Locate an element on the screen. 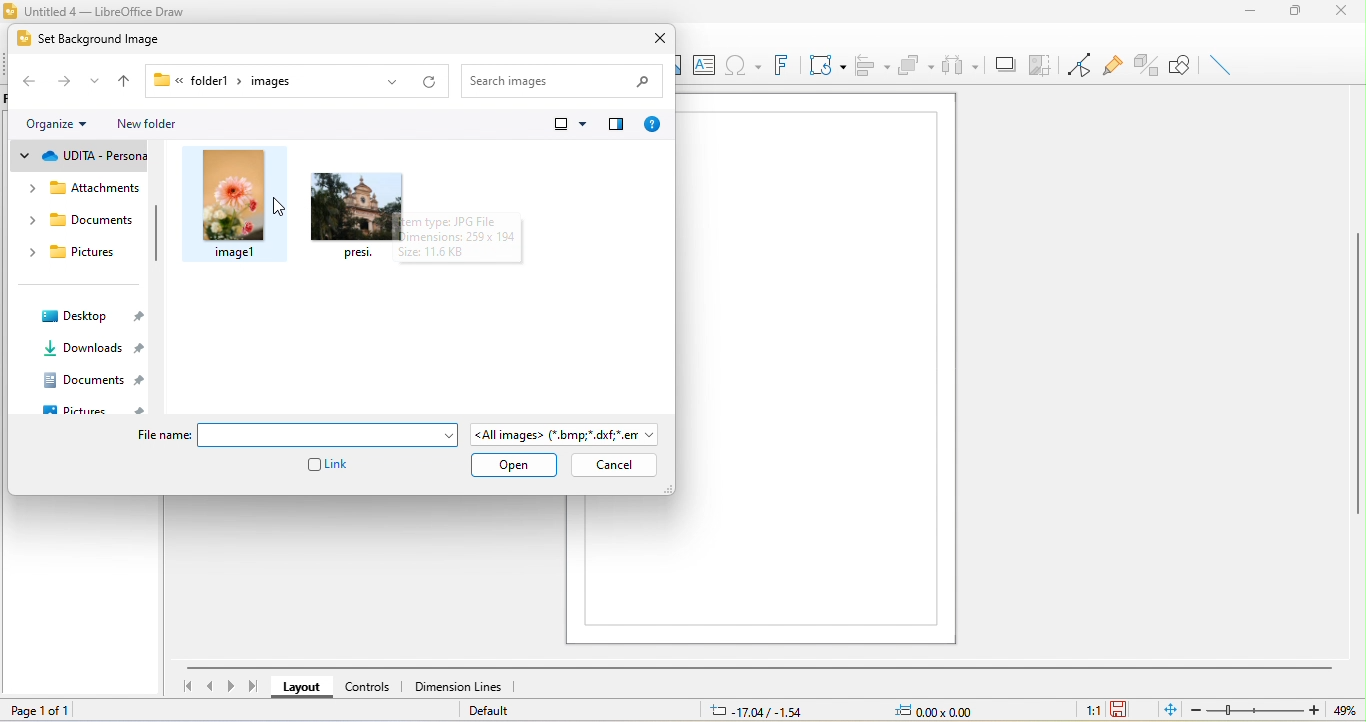 This screenshot has height=722, width=1366. toggle point edit mode is located at coordinates (1080, 65).